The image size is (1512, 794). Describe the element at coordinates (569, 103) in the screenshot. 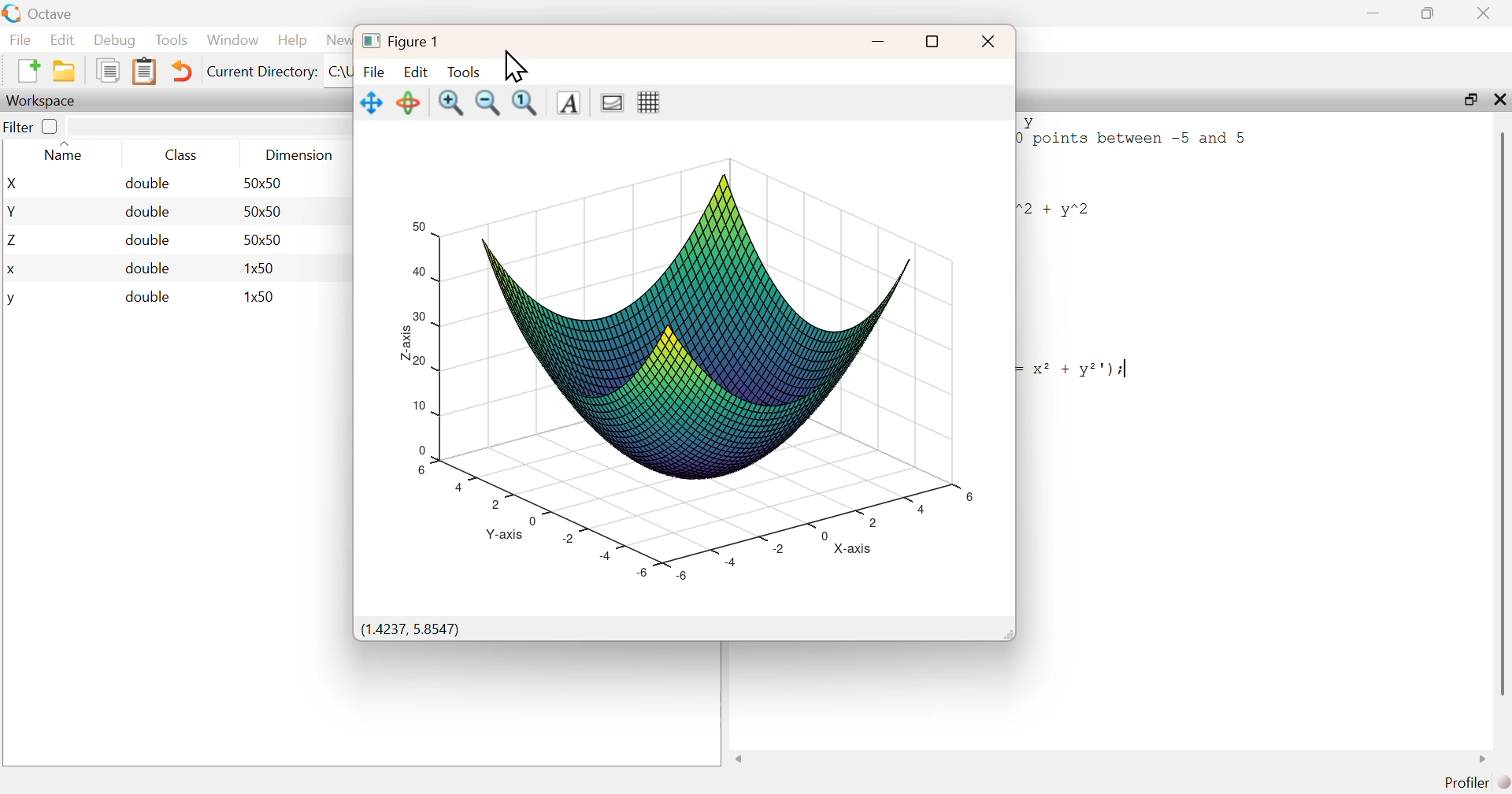

I see `Text` at that location.